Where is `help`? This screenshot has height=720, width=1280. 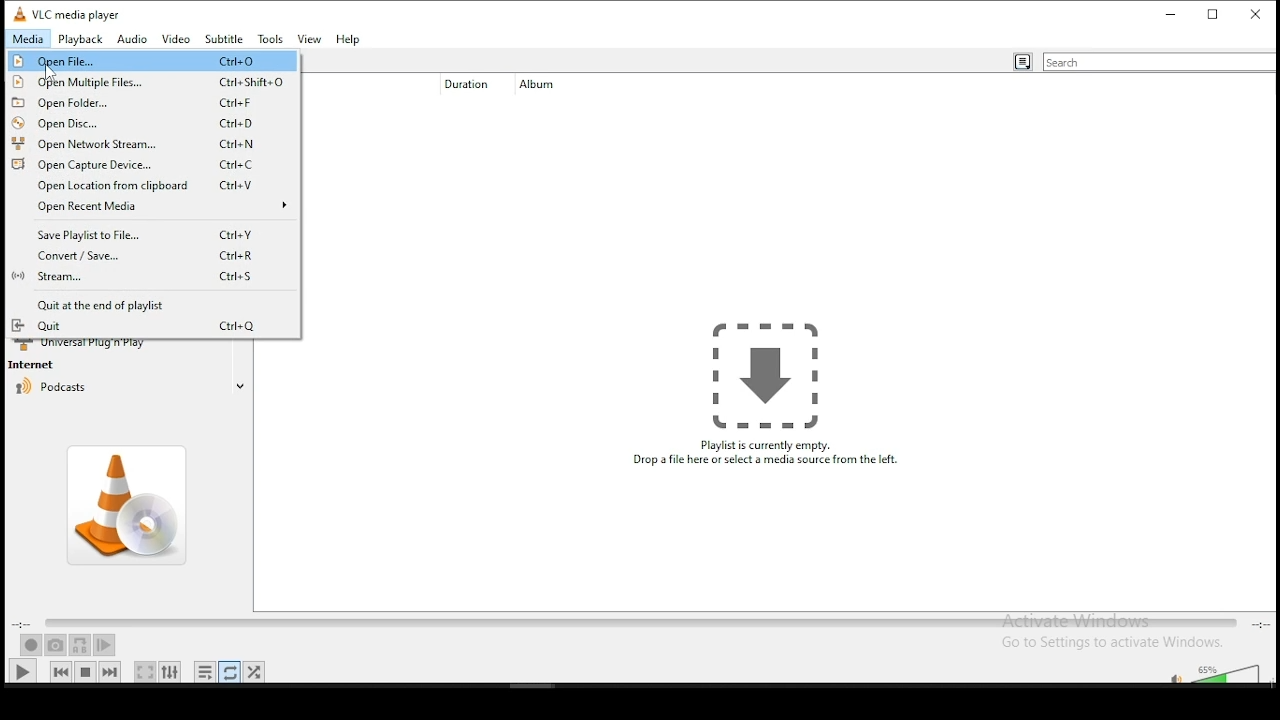 help is located at coordinates (347, 40).